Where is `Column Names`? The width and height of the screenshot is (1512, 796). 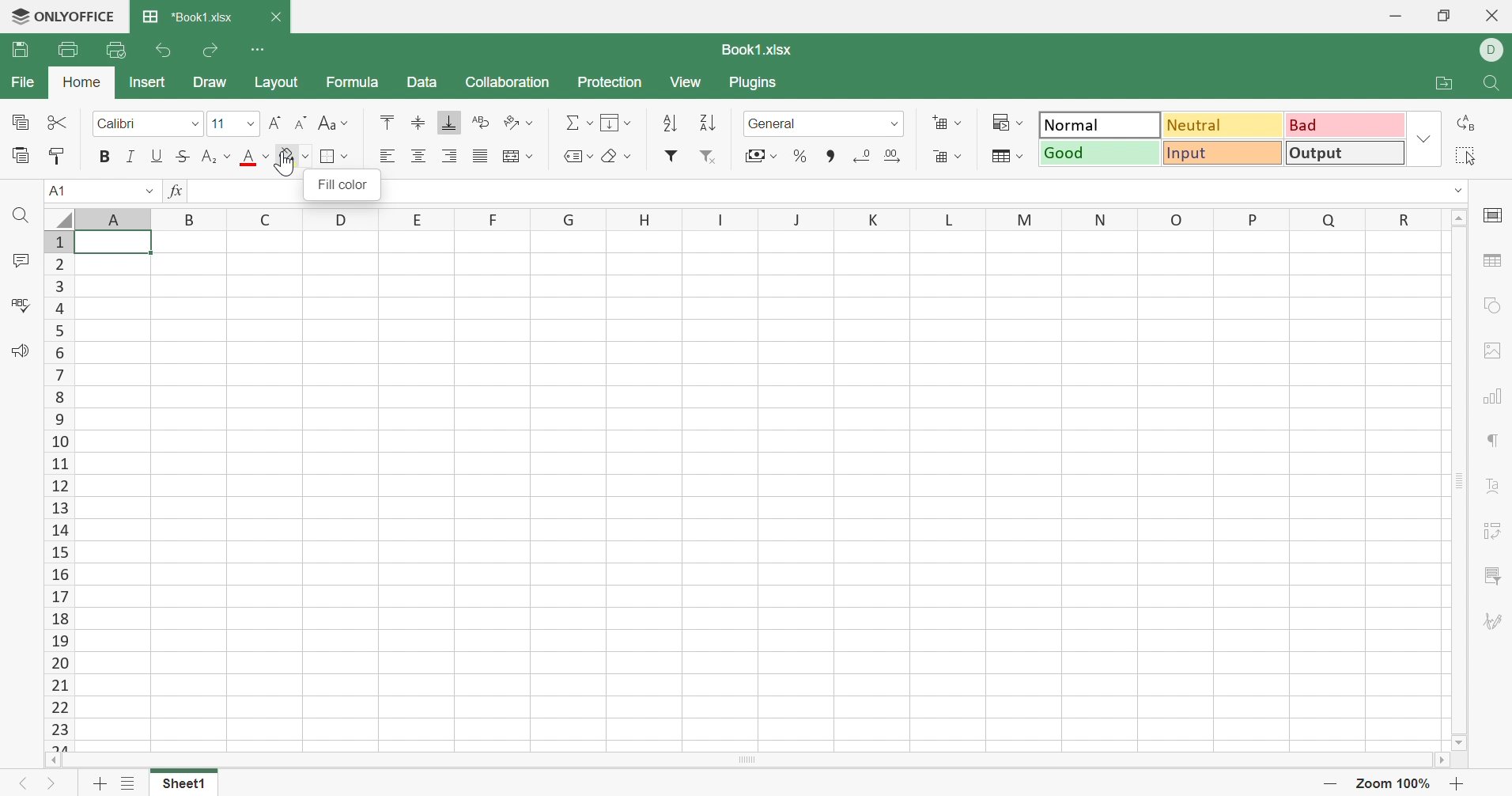
Column Names is located at coordinates (736, 220).